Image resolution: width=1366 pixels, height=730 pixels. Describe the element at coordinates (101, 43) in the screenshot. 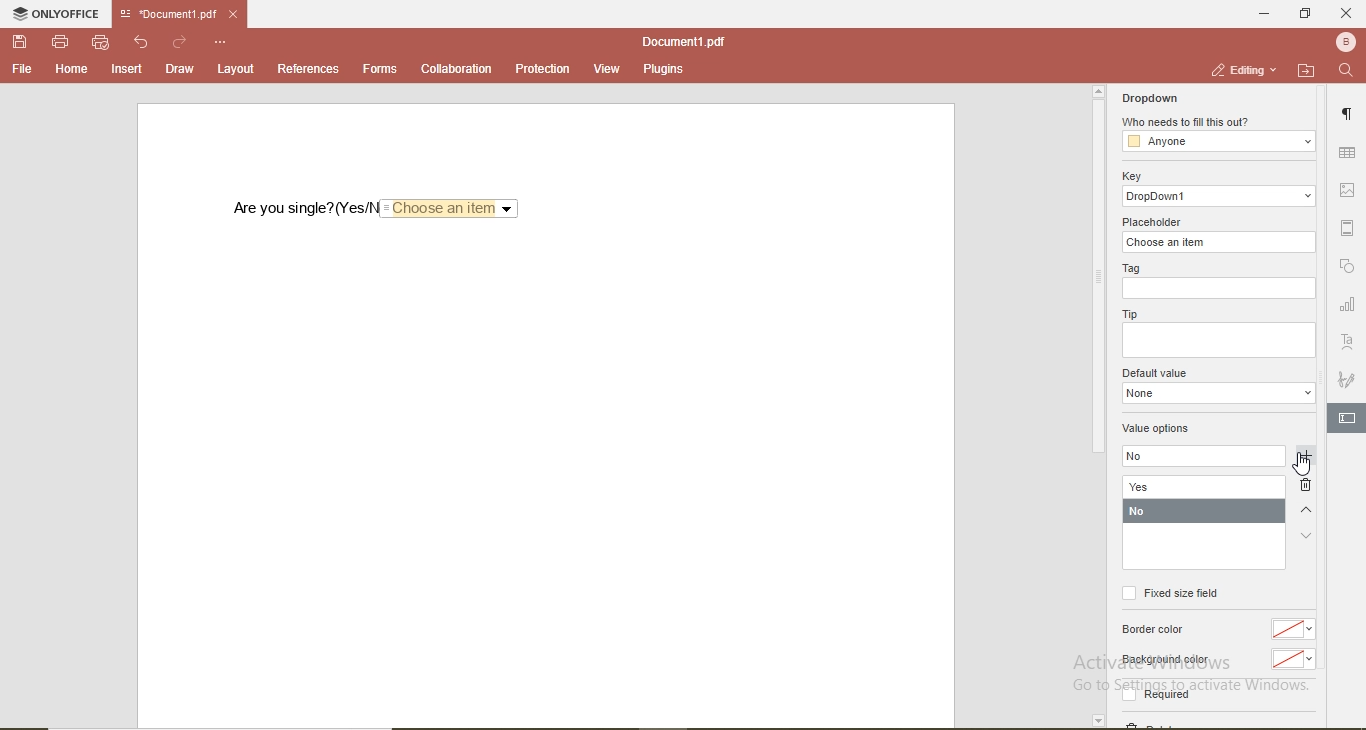

I see `quick print` at that location.